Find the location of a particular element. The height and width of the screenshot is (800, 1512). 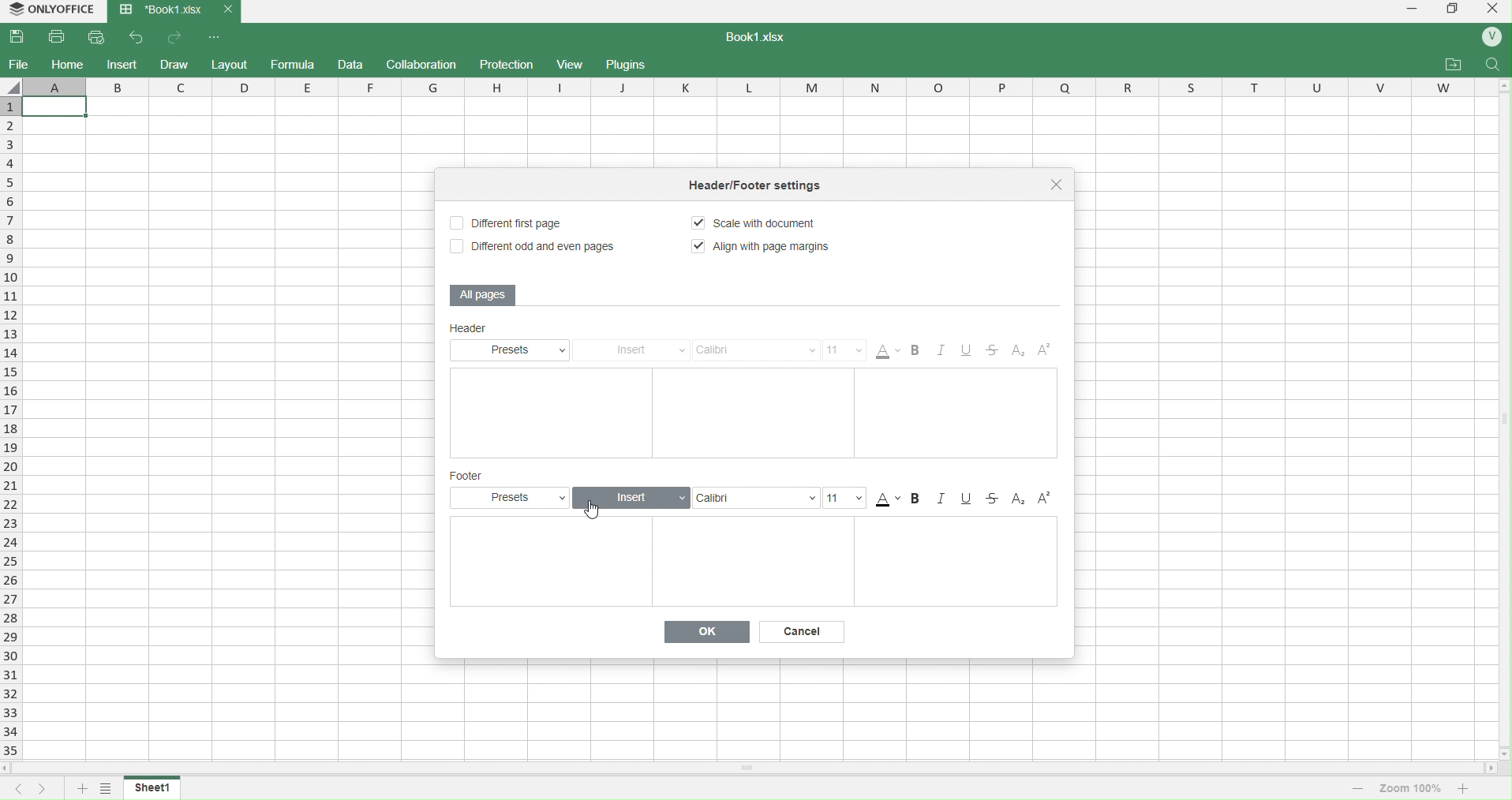

print is located at coordinates (58, 36).